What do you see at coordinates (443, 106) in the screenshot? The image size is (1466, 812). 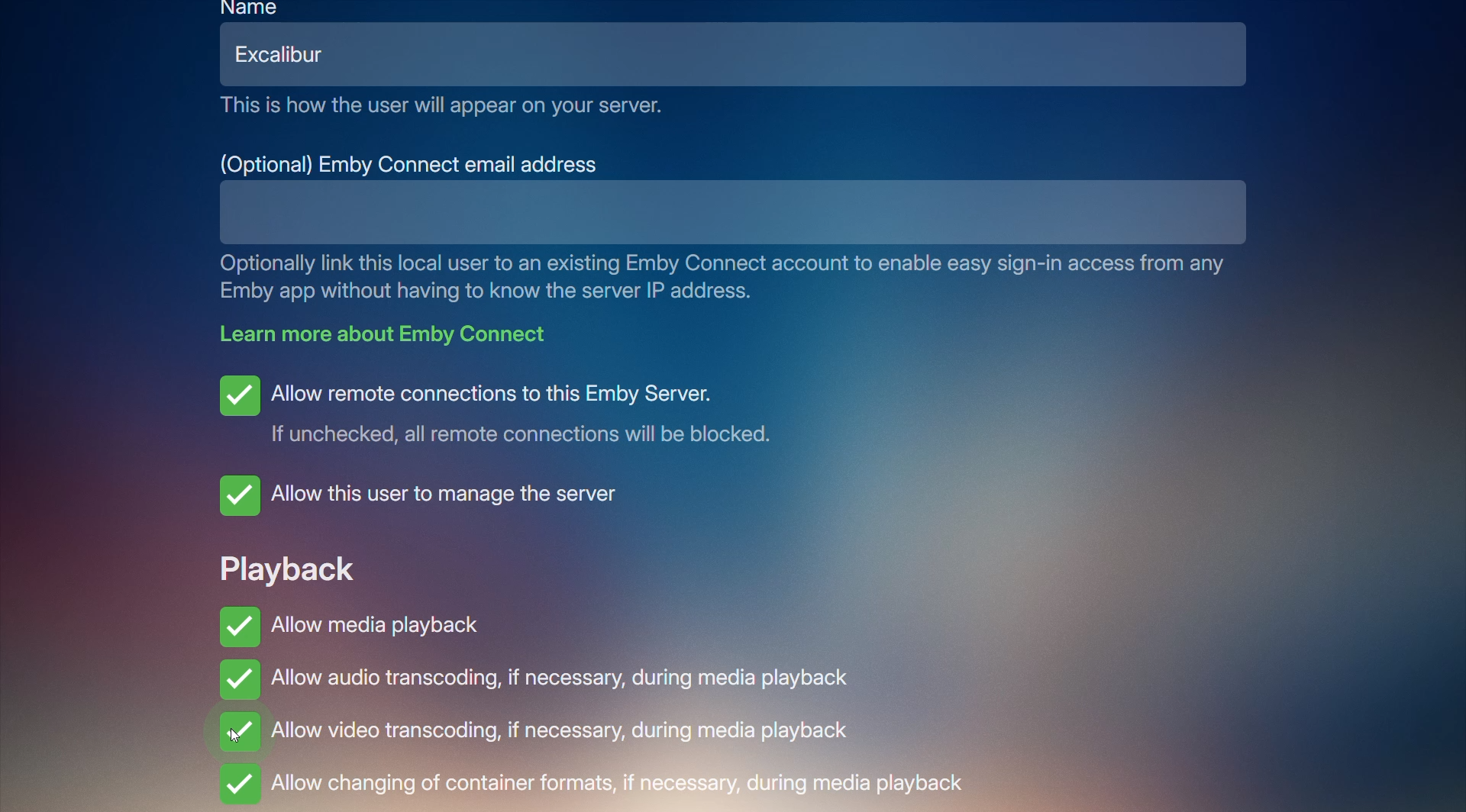 I see `This is how the user will appear on your server.` at bounding box center [443, 106].